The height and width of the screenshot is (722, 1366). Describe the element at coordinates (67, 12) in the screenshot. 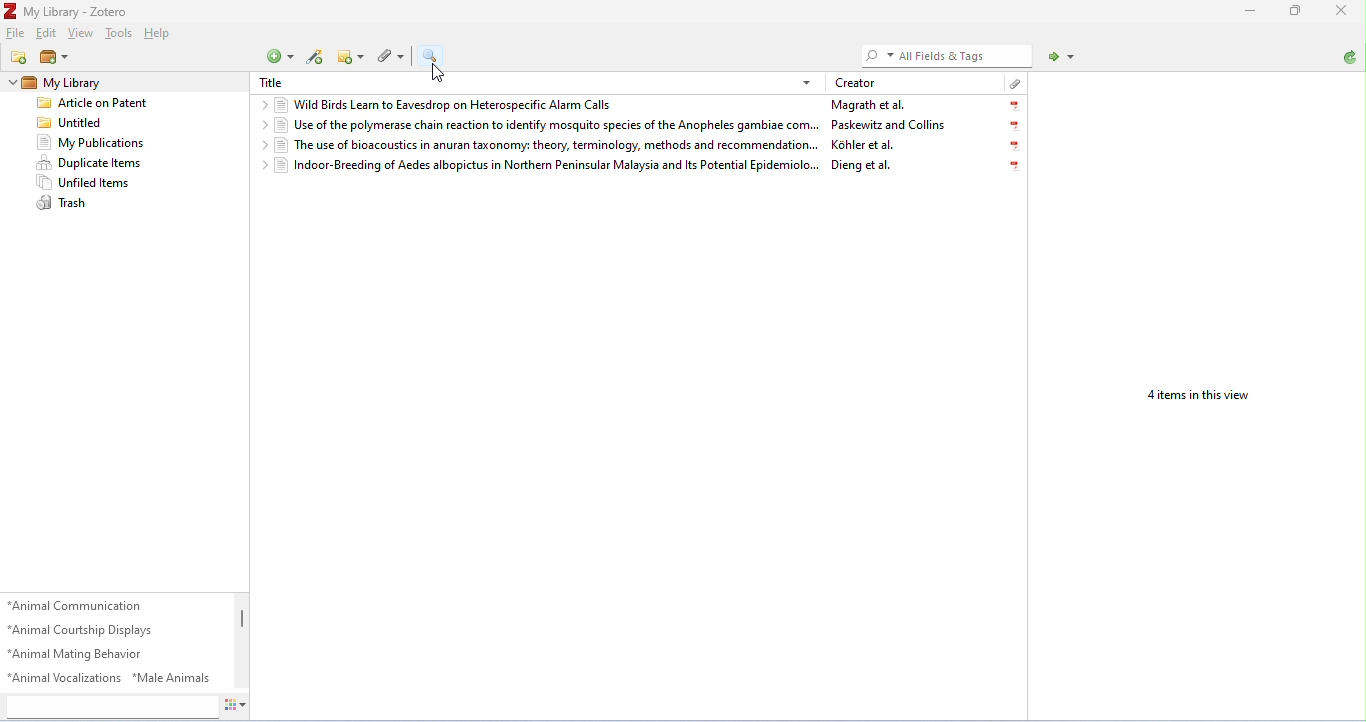

I see `My Library - Zotero` at that location.